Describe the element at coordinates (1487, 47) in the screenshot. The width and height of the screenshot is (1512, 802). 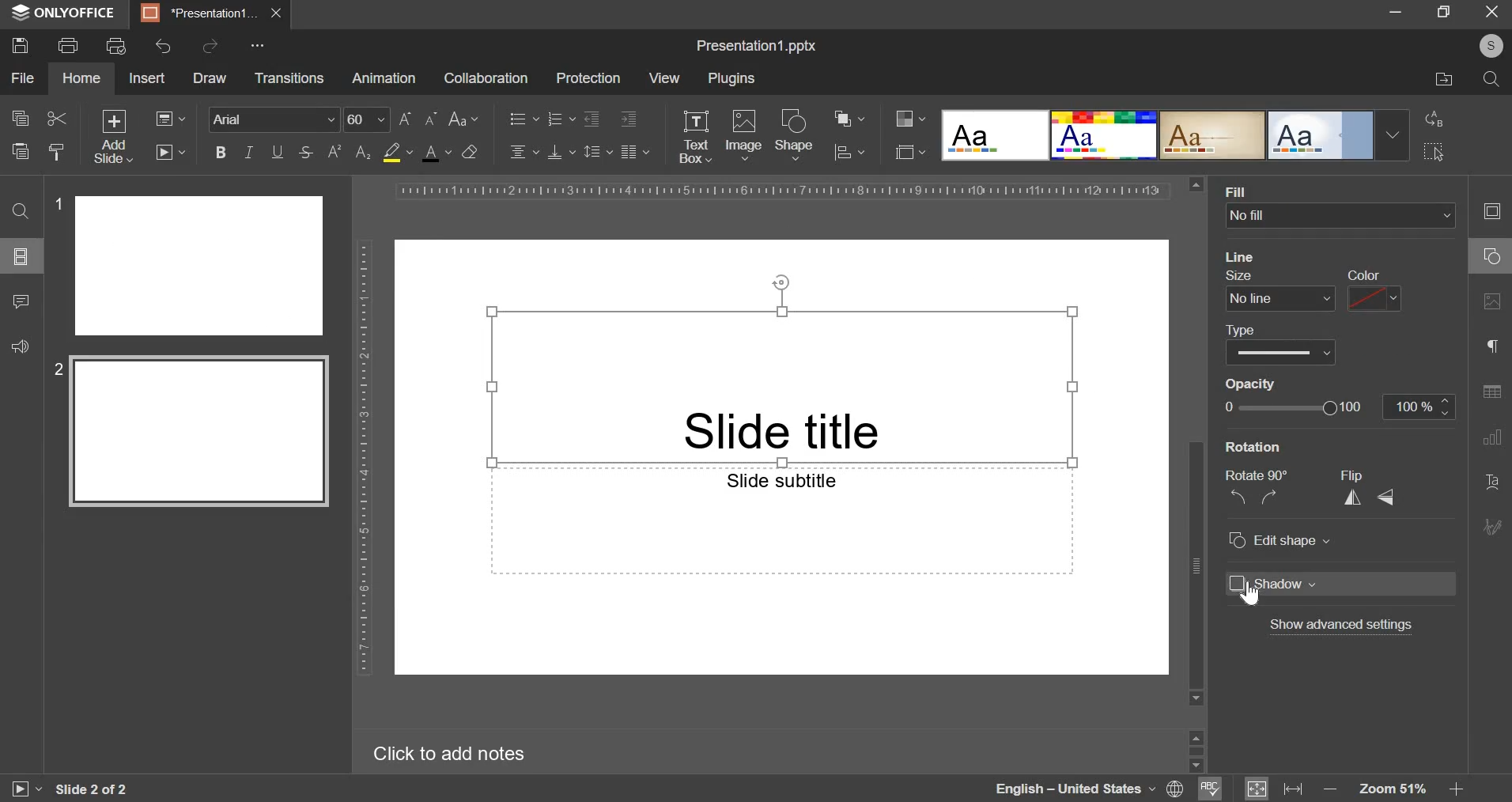
I see `profile` at that location.